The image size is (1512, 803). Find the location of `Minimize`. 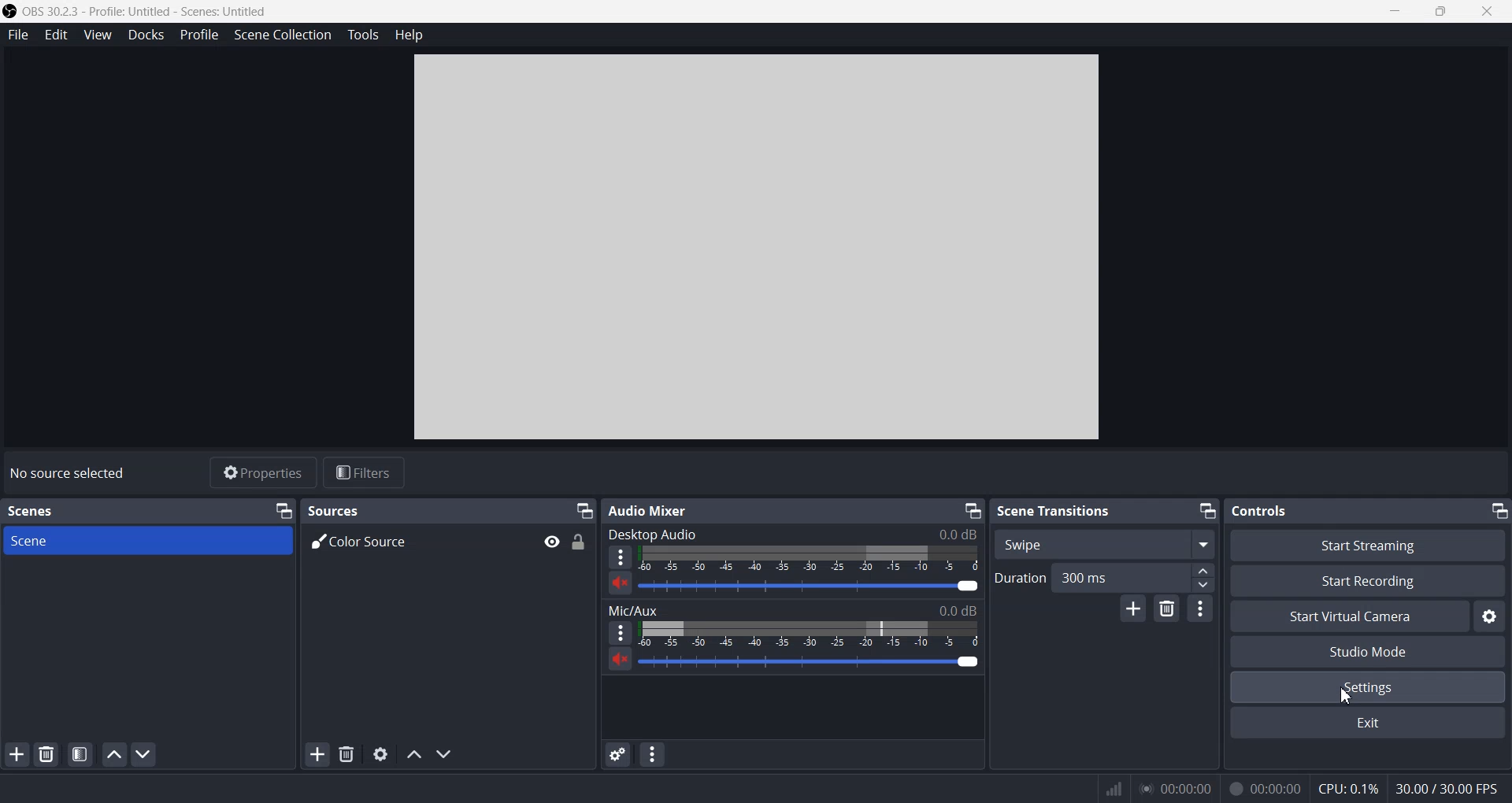

Minimize is located at coordinates (1499, 510).